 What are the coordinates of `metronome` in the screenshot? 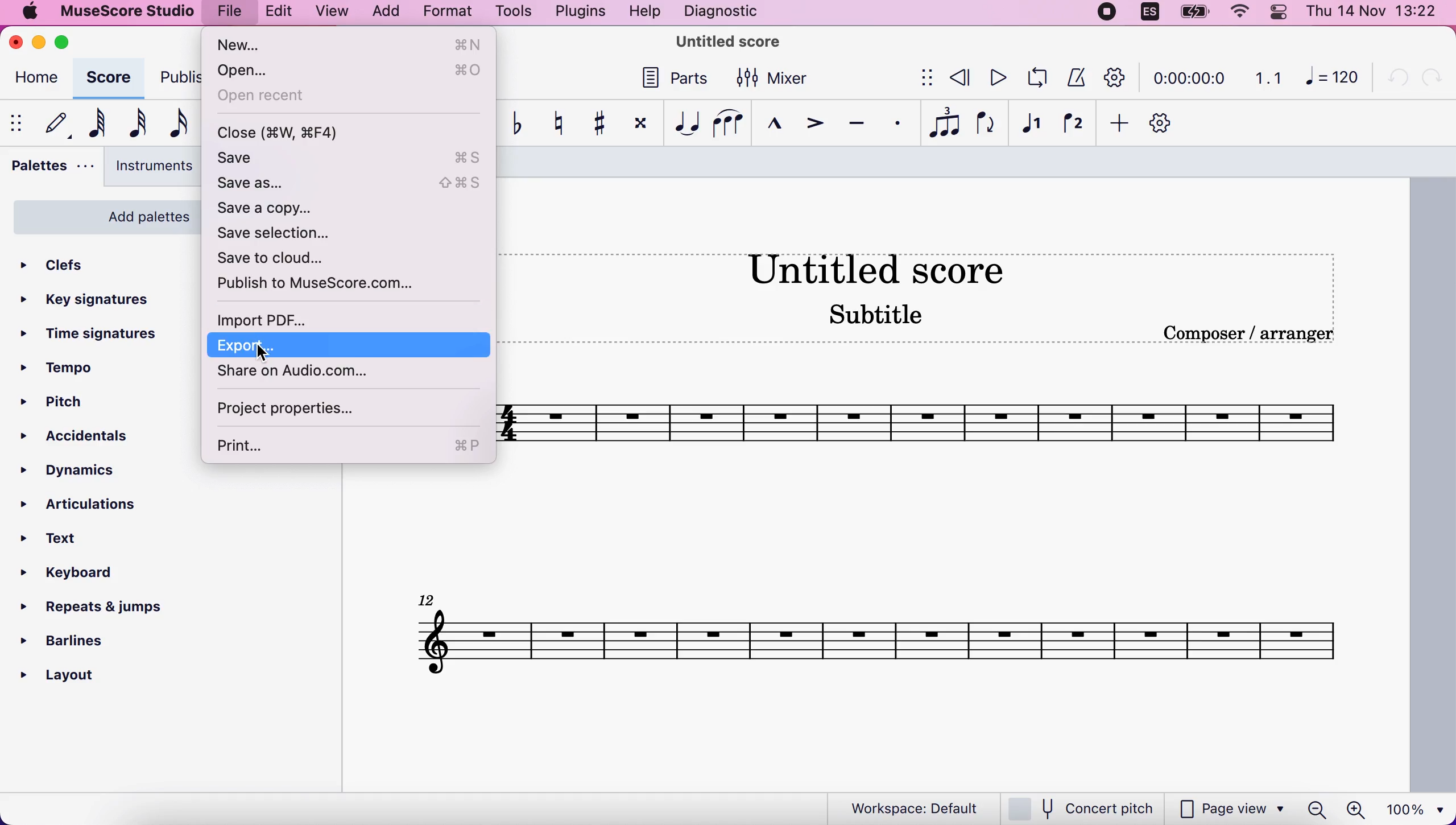 It's located at (1074, 78).